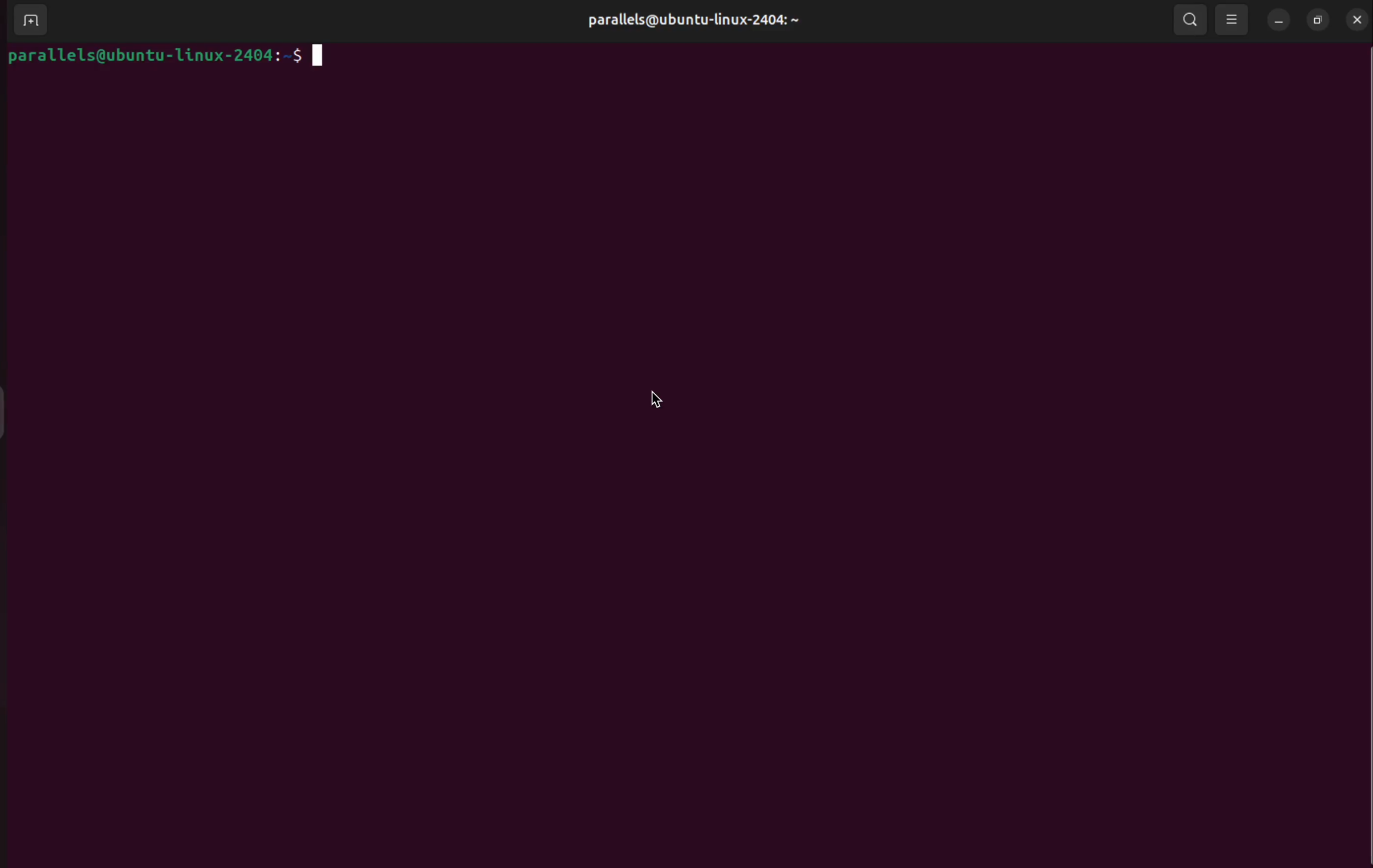 This screenshot has height=868, width=1373. I want to click on resize, so click(1318, 19).